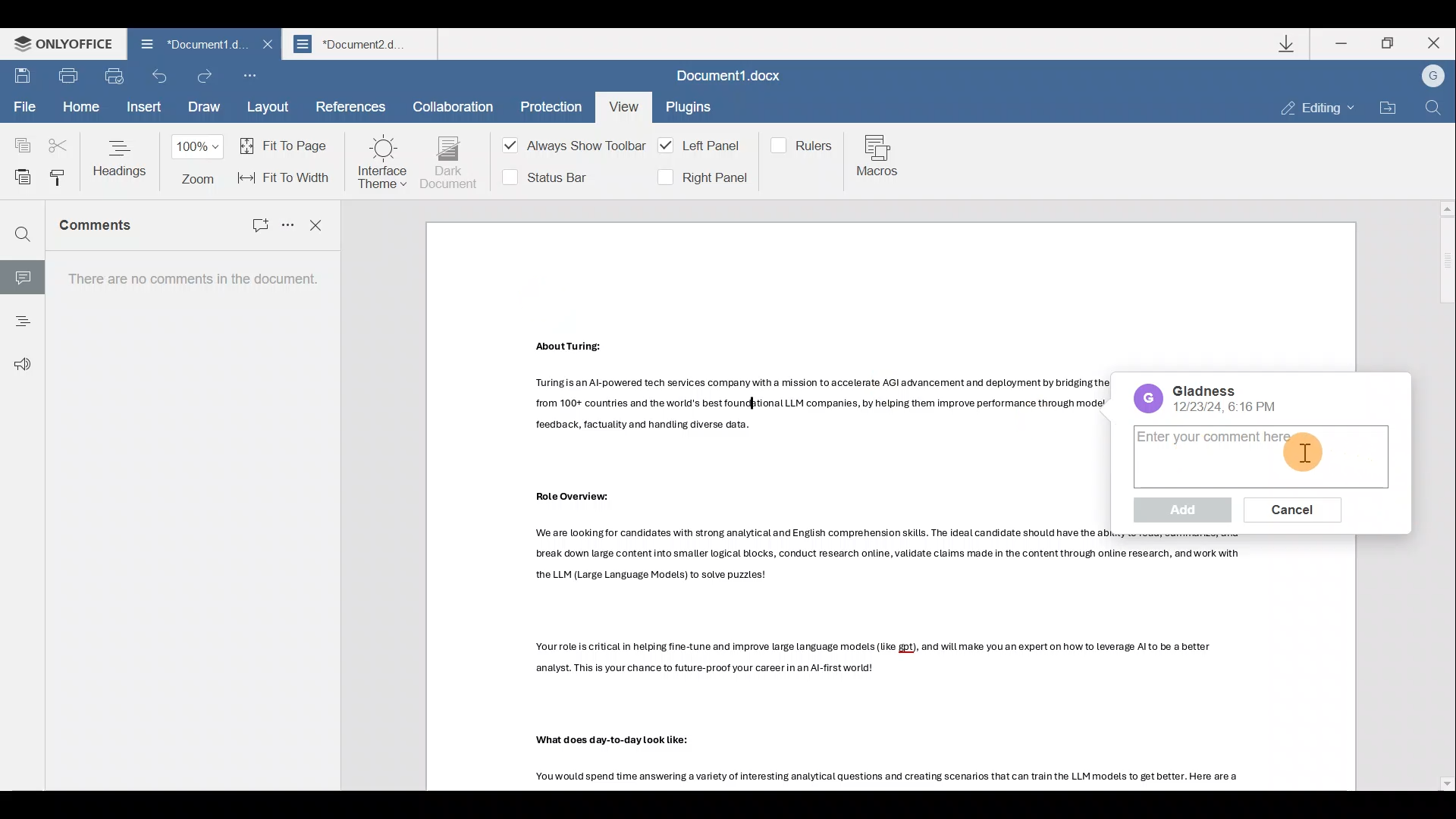  I want to click on Interface theme, so click(382, 162).